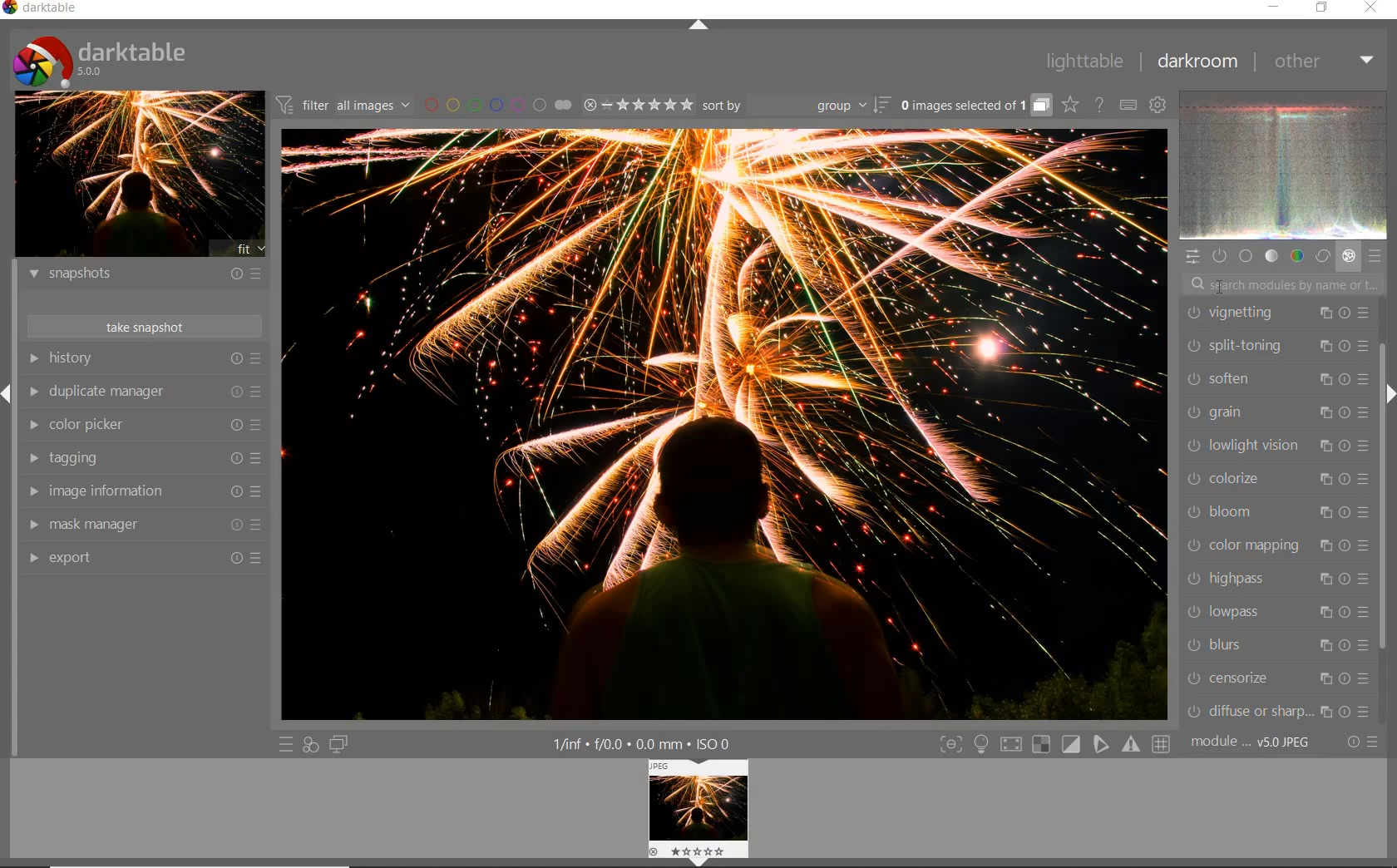  What do you see at coordinates (700, 26) in the screenshot?
I see `expand/collapse` at bounding box center [700, 26].